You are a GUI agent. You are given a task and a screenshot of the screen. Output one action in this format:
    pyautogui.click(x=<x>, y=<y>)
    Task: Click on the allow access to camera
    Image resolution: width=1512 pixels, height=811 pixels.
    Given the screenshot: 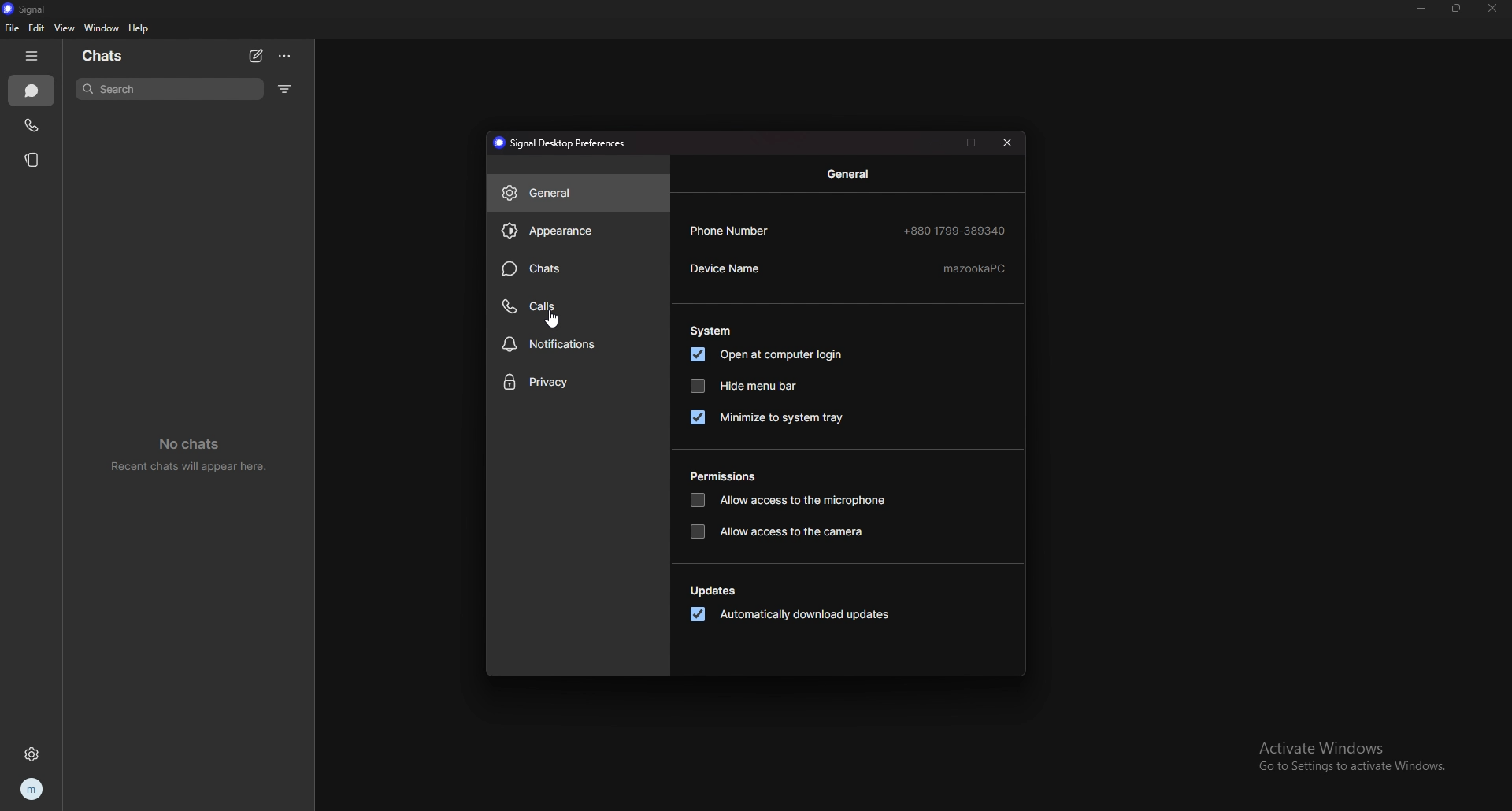 What is the action you would take?
    pyautogui.click(x=778, y=532)
    